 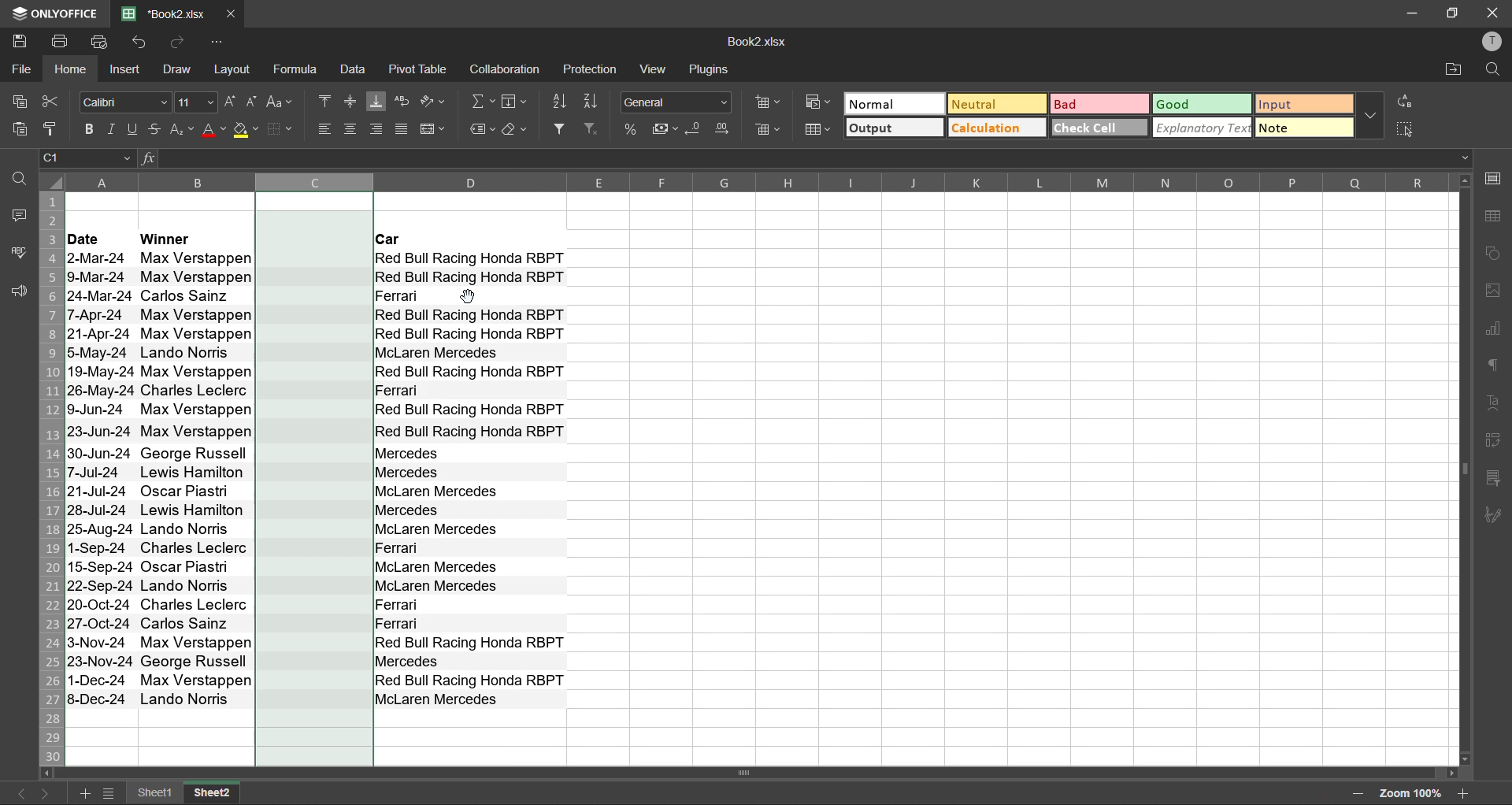 What do you see at coordinates (1492, 41) in the screenshot?
I see `profile` at bounding box center [1492, 41].